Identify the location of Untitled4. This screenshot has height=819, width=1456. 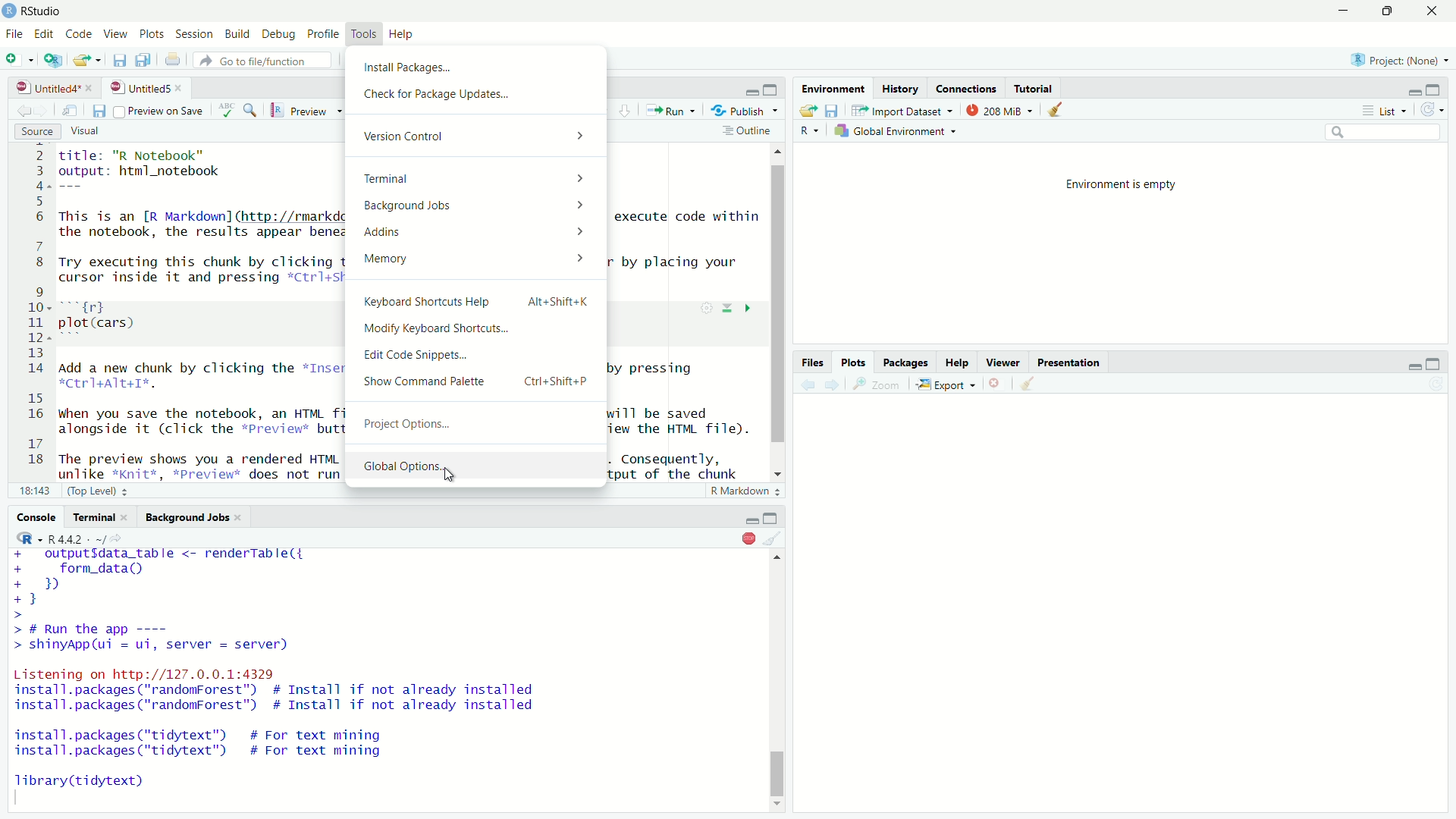
(43, 88).